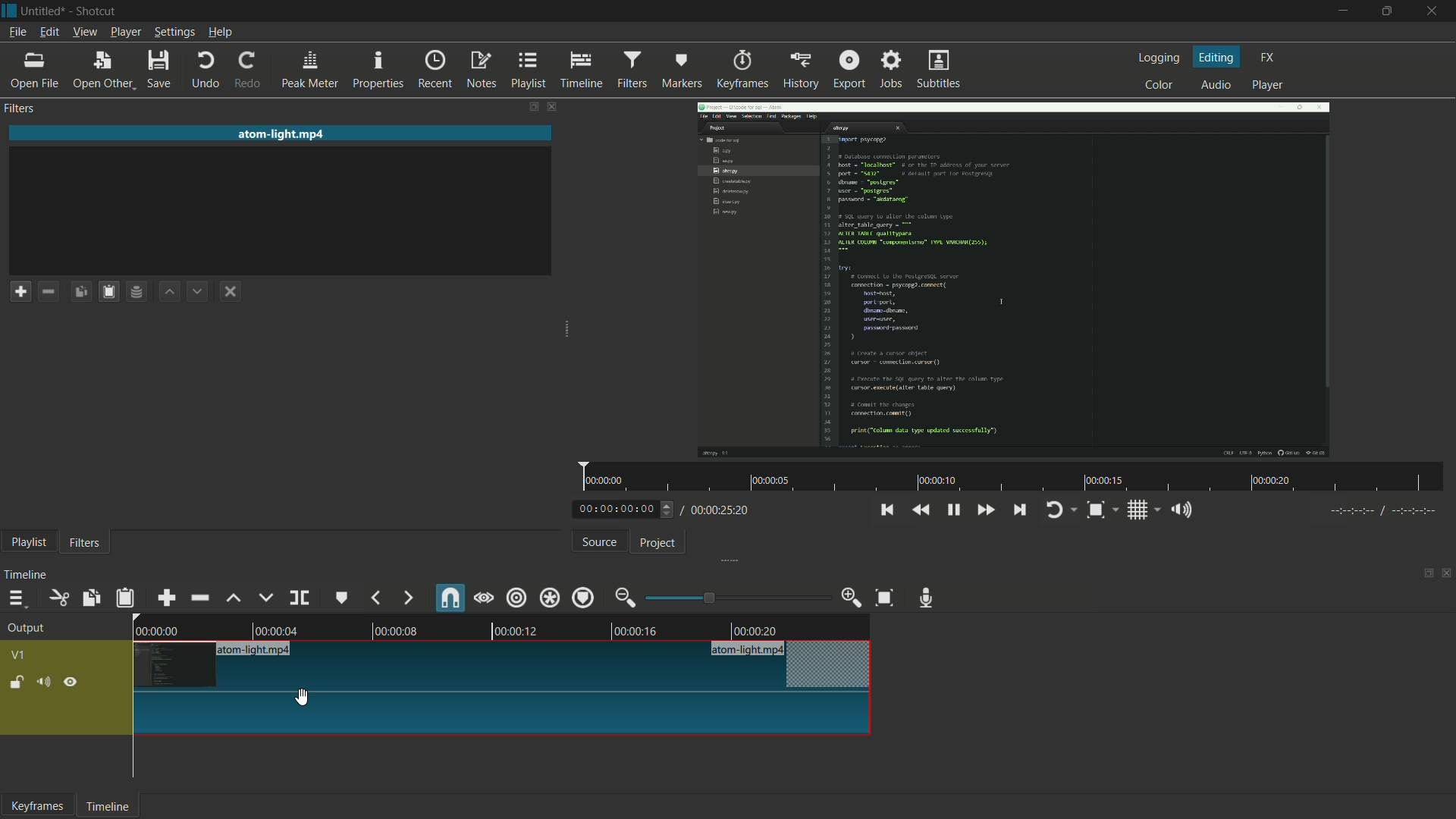 Image resolution: width=1456 pixels, height=819 pixels. What do you see at coordinates (17, 599) in the screenshot?
I see `timeline menu` at bounding box center [17, 599].